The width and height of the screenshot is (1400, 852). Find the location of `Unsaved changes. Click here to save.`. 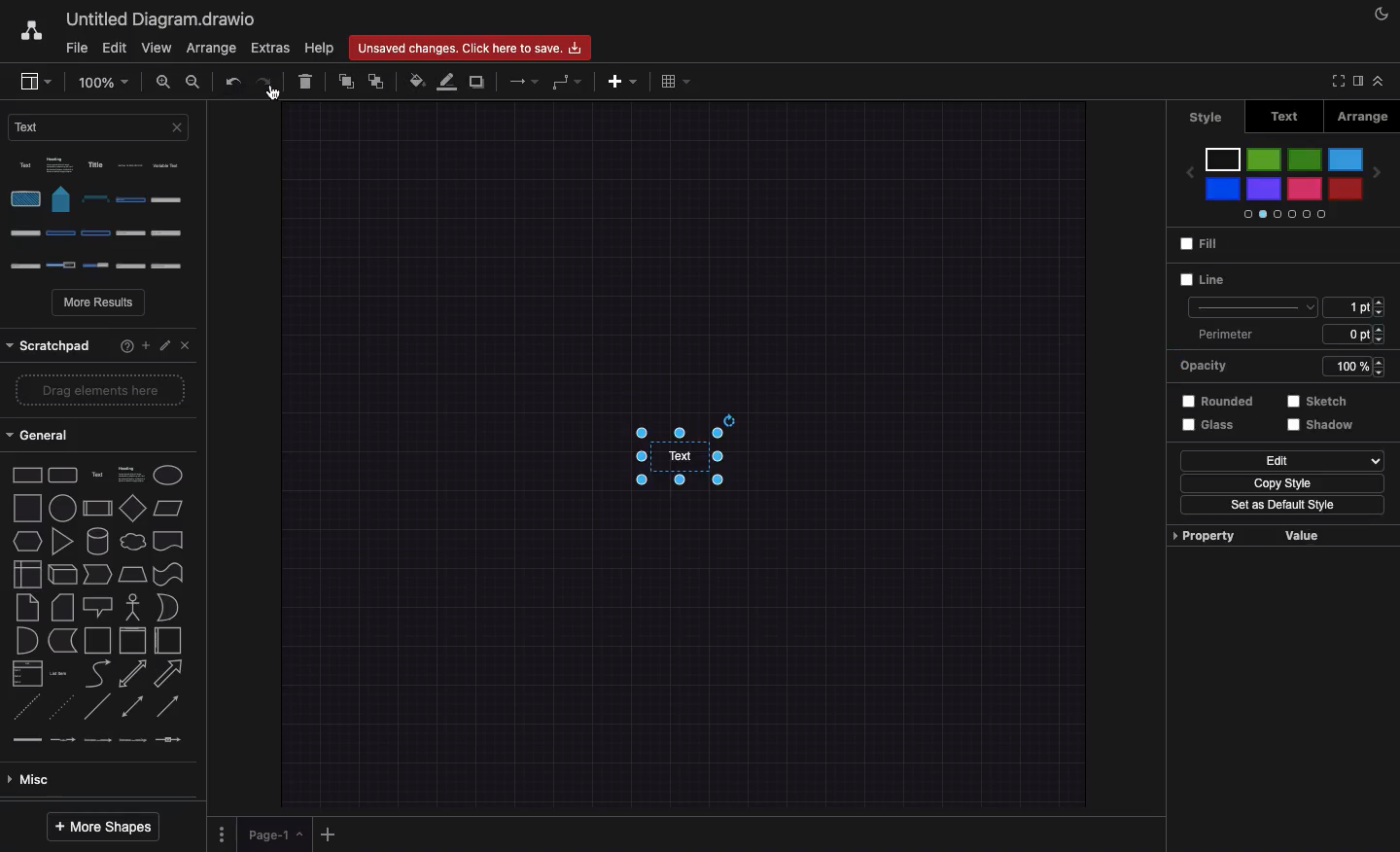

Unsaved changes. Click here to save. is located at coordinates (472, 45).